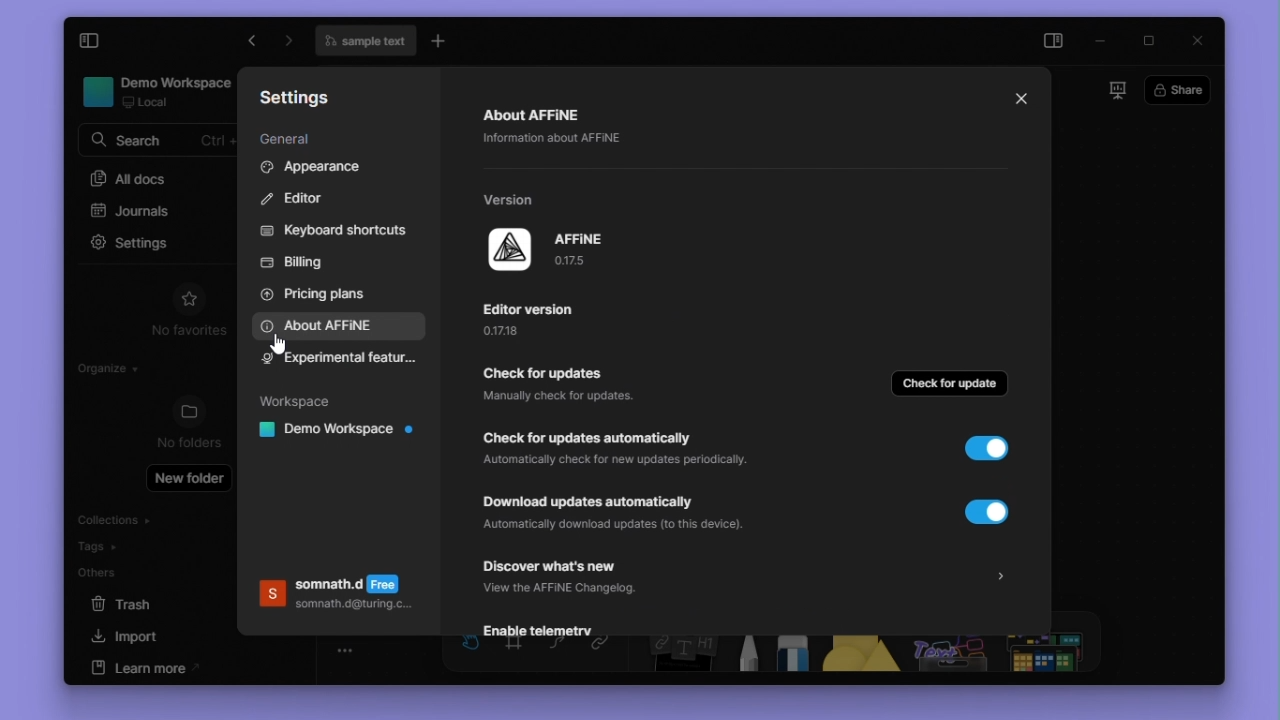 The height and width of the screenshot is (720, 1280). Describe the element at coordinates (677, 654) in the screenshot. I see `Note` at that location.